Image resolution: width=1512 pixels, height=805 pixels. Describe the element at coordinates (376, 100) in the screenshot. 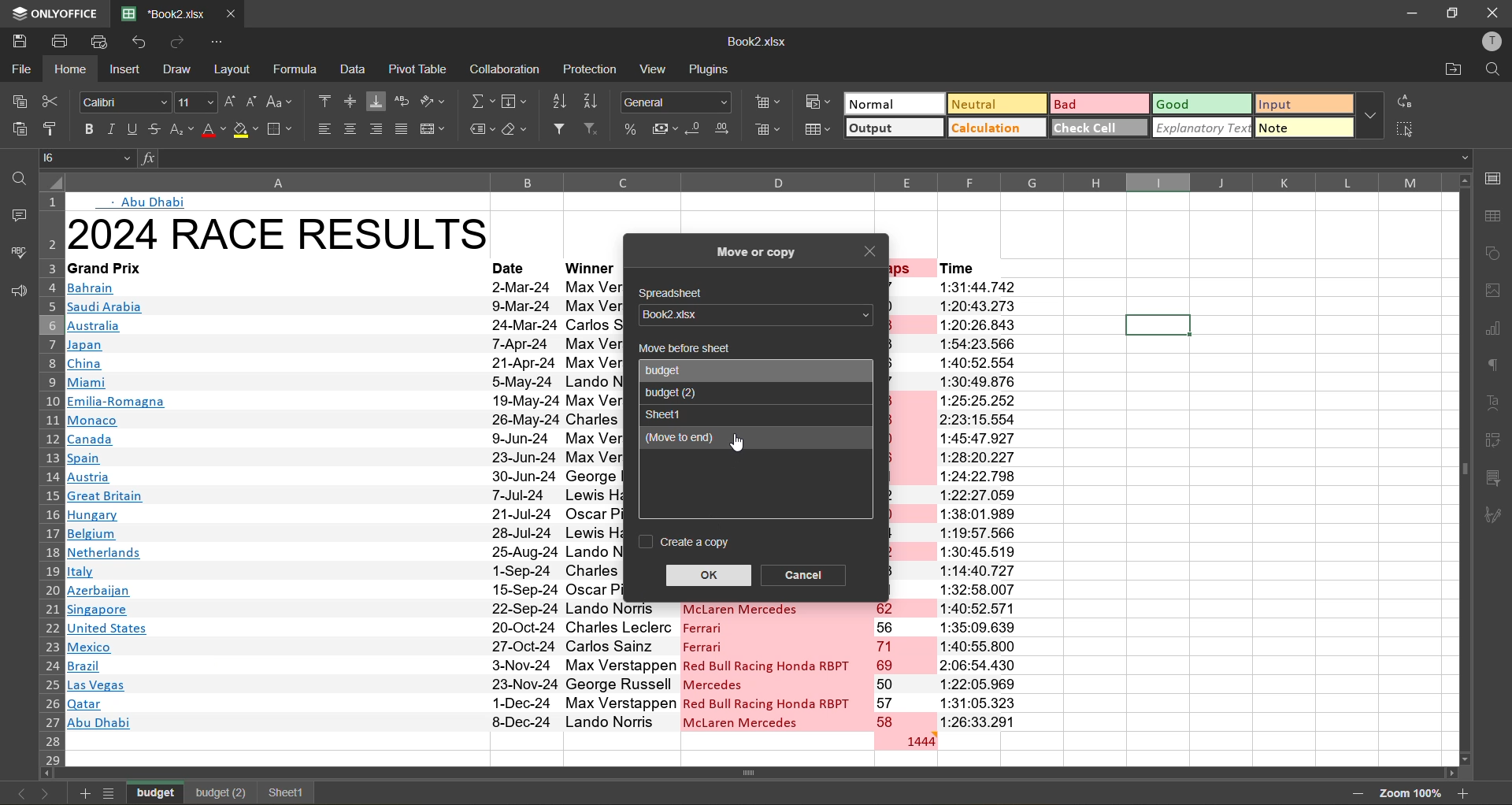

I see `align bottom` at that location.